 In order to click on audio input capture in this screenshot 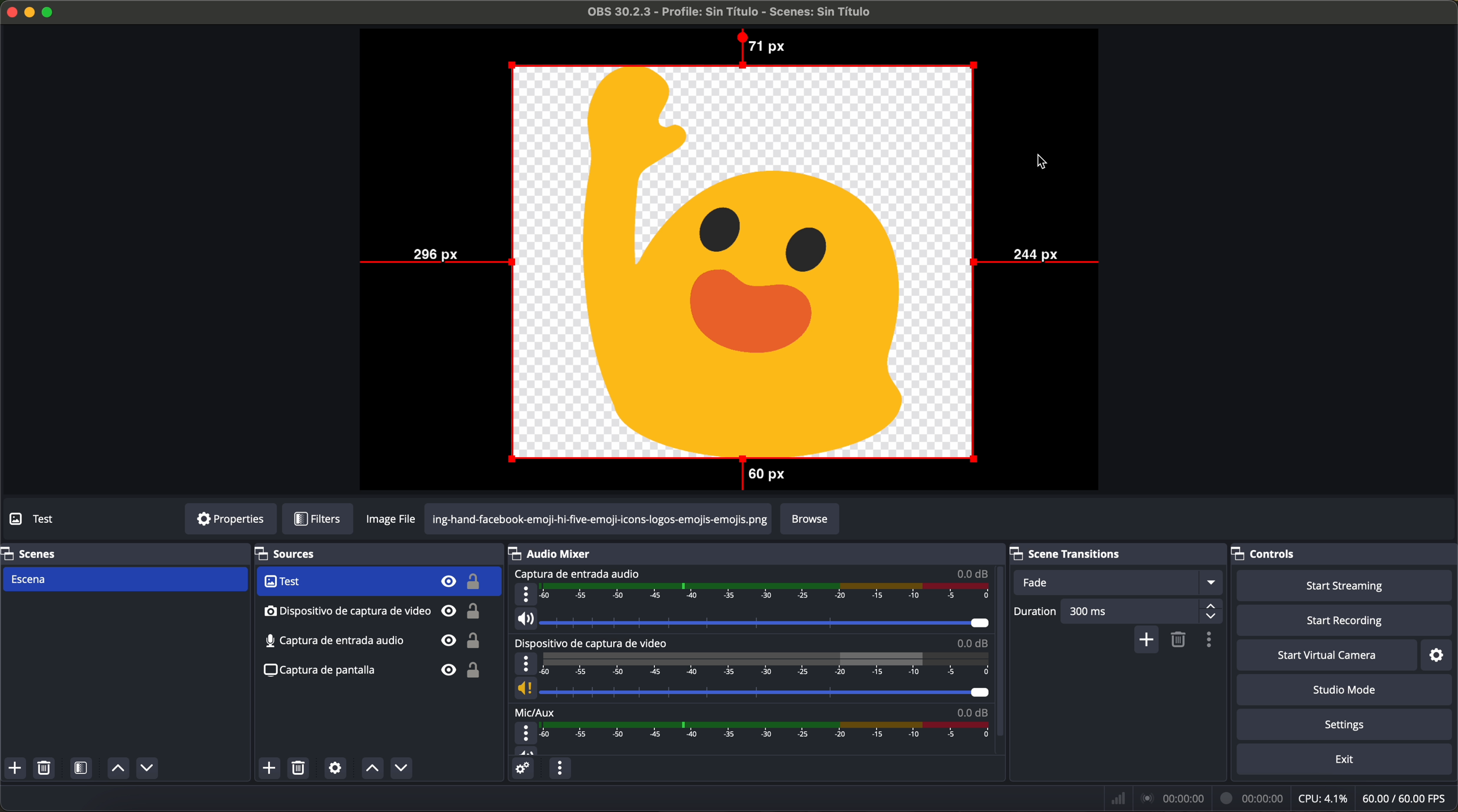, I will do `click(576, 574)`.